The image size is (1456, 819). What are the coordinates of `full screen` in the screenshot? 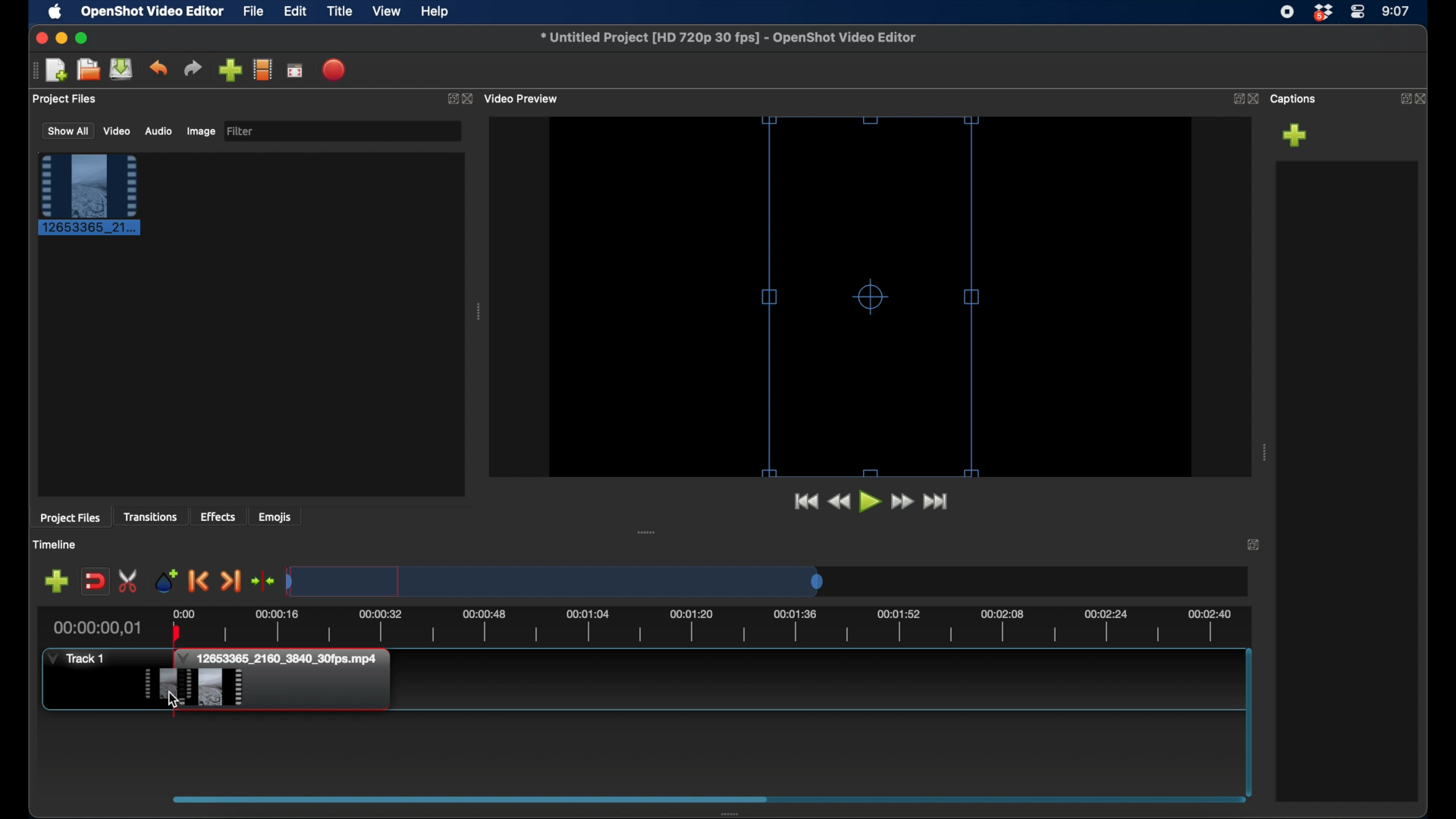 It's located at (295, 71).